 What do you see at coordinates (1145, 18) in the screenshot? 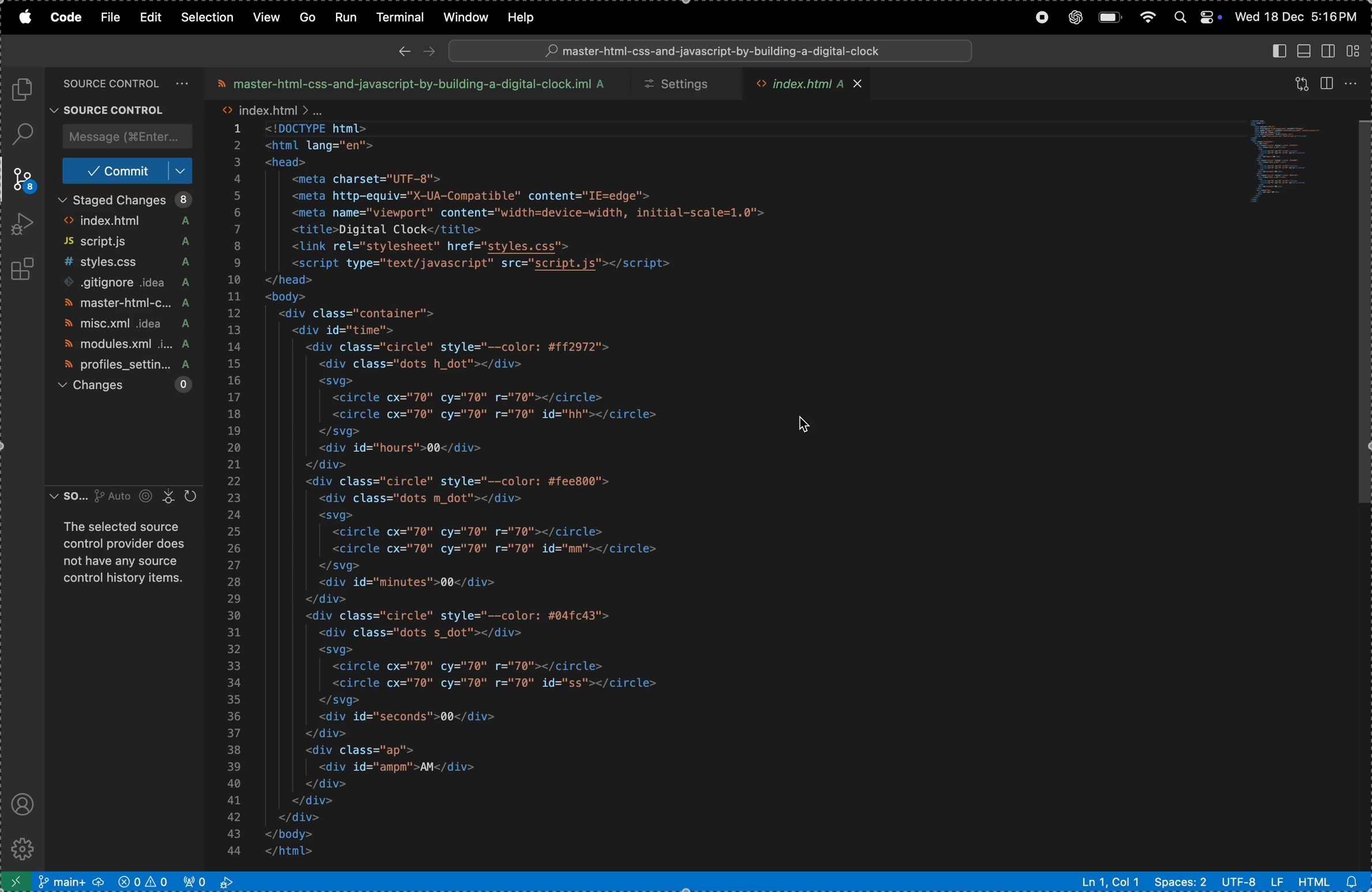
I see `wifi` at bounding box center [1145, 18].